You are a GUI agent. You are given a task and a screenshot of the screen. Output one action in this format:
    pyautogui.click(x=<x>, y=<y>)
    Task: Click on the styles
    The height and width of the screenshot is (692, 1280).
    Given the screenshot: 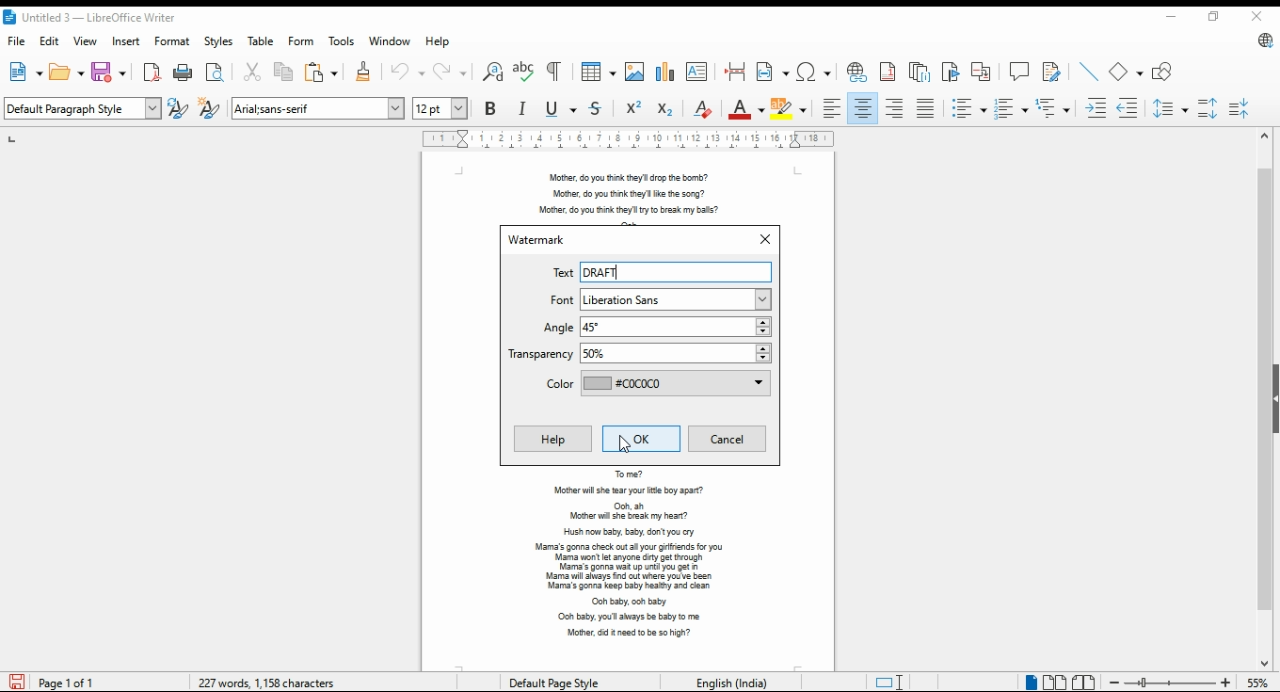 What is the action you would take?
    pyautogui.click(x=221, y=41)
    